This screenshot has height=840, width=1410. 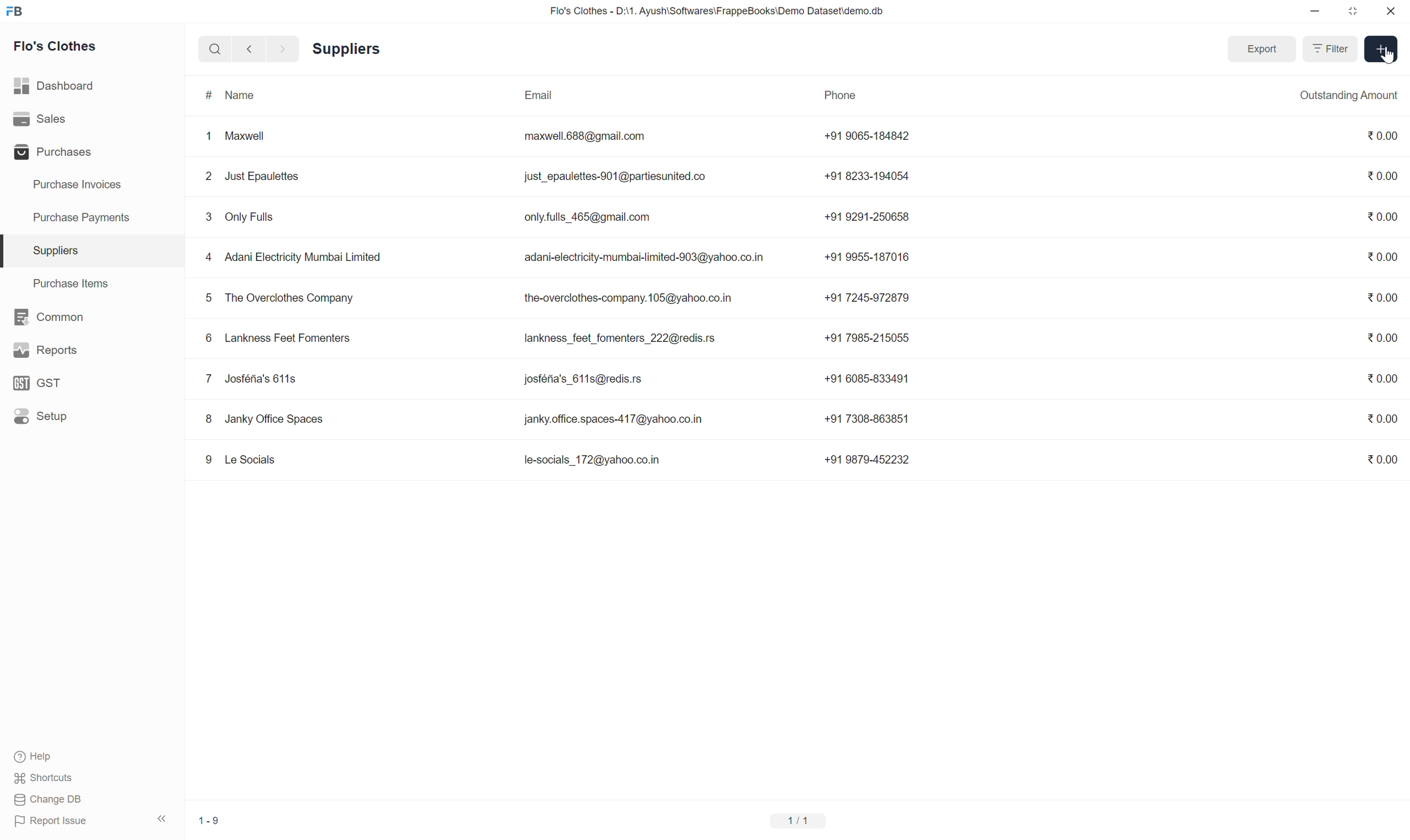 I want to click on 0.00, so click(x=1383, y=378).